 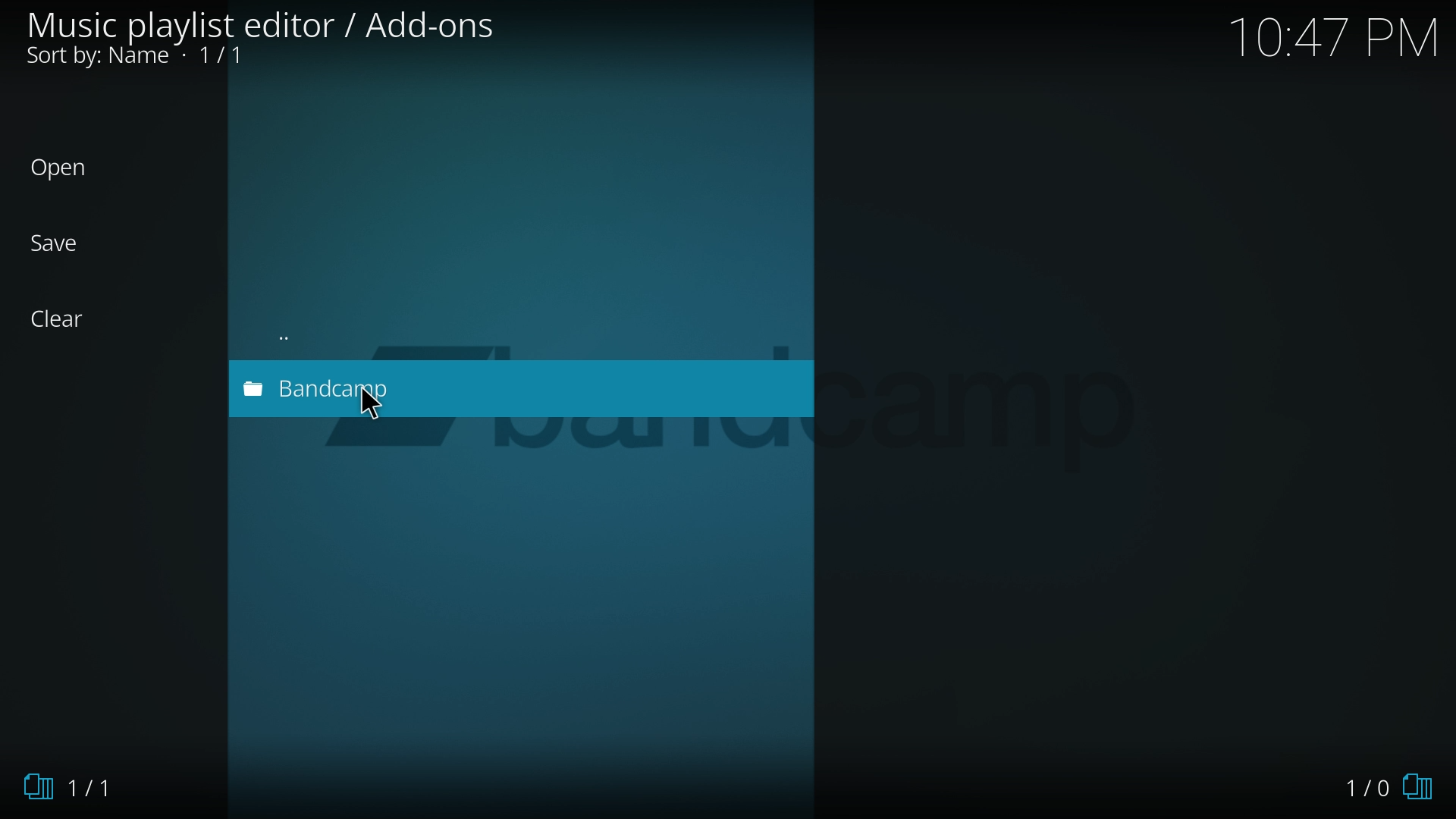 I want to click on 1/1, so click(x=75, y=789).